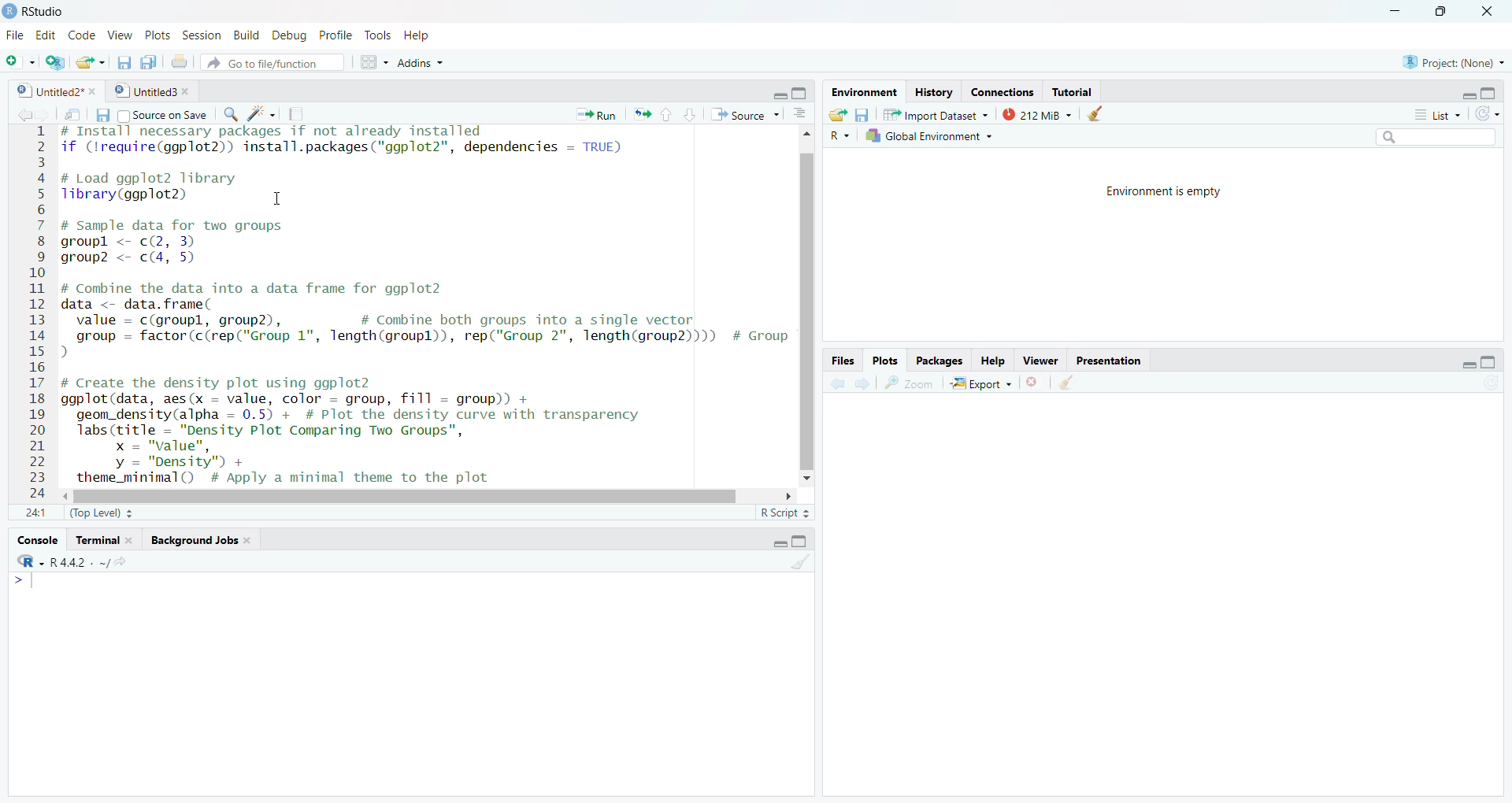 The image size is (1512, 803). What do you see at coordinates (936, 116) in the screenshot?
I see `IMPORT DATASET` at bounding box center [936, 116].